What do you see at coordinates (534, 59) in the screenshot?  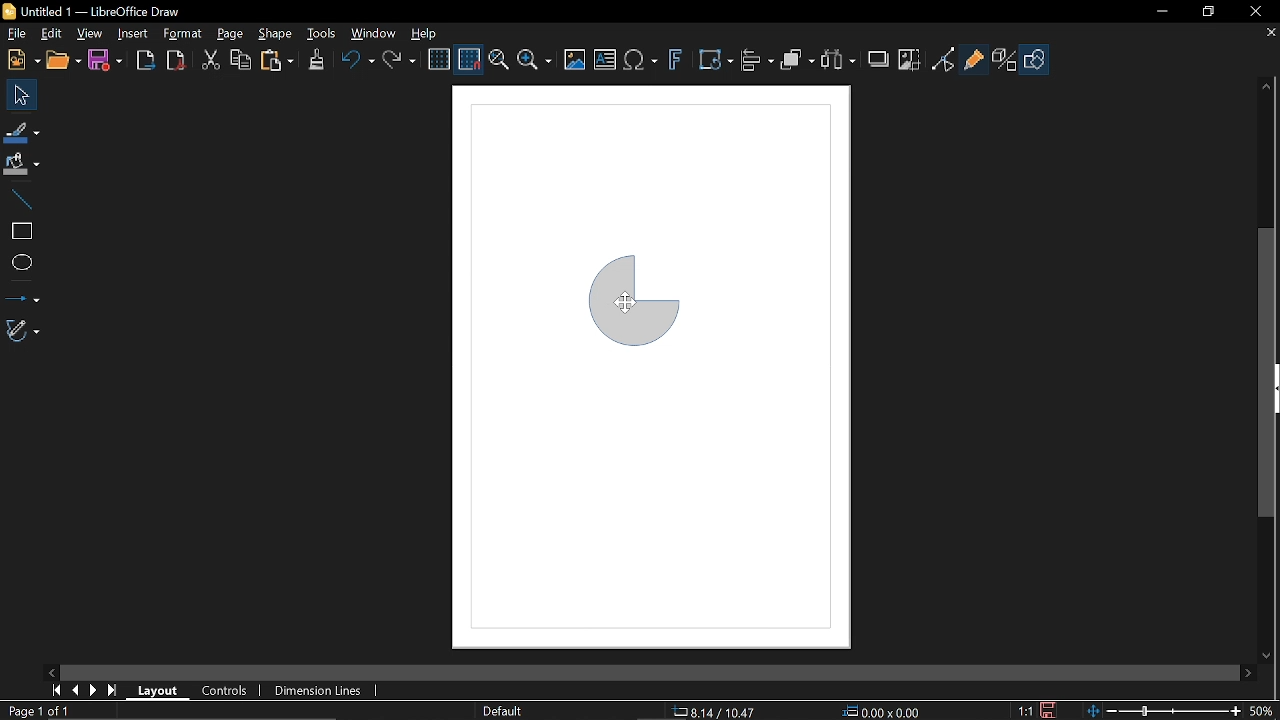 I see `Zoom` at bounding box center [534, 59].